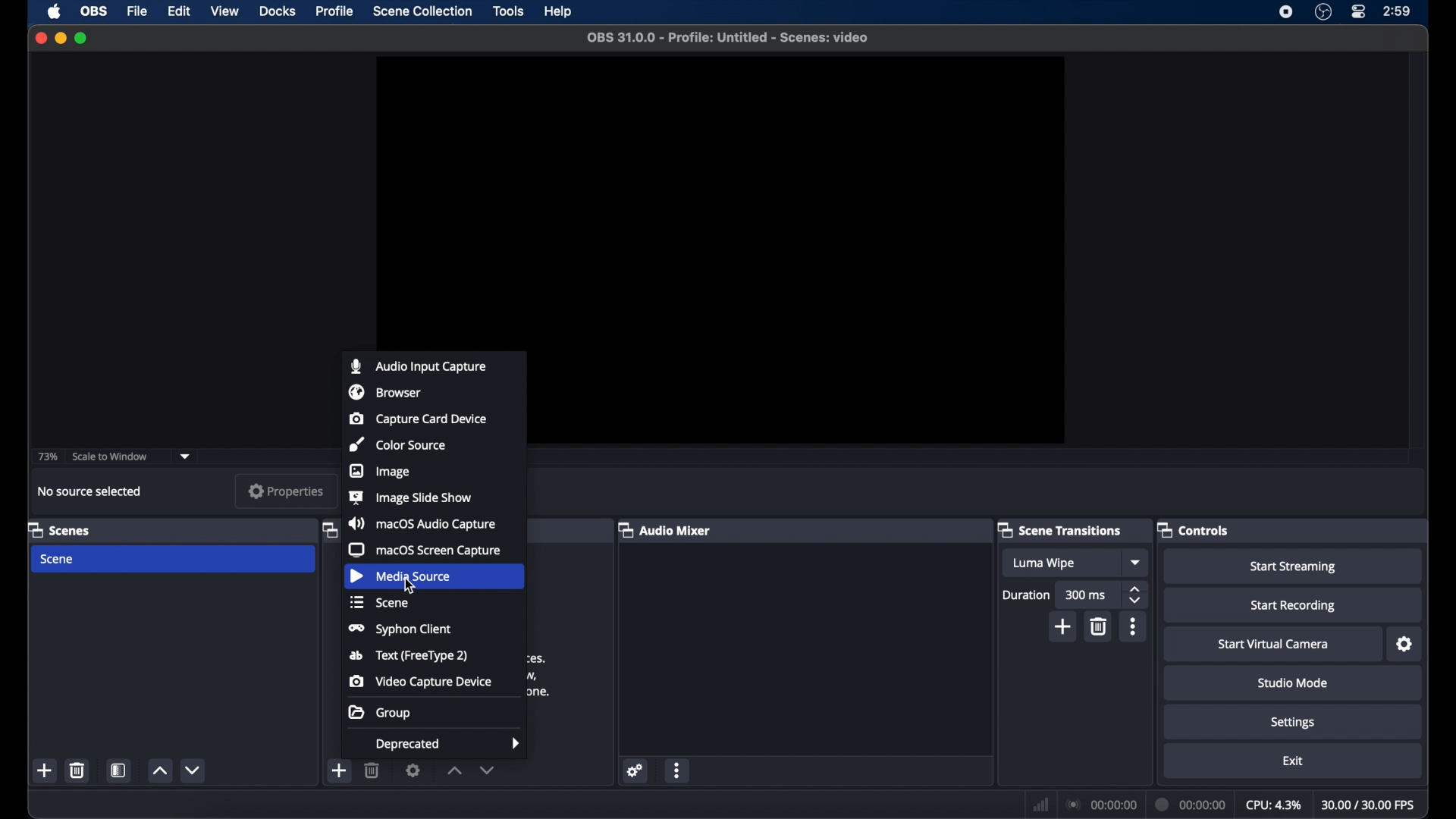  I want to click on add, so click(1063, 627).